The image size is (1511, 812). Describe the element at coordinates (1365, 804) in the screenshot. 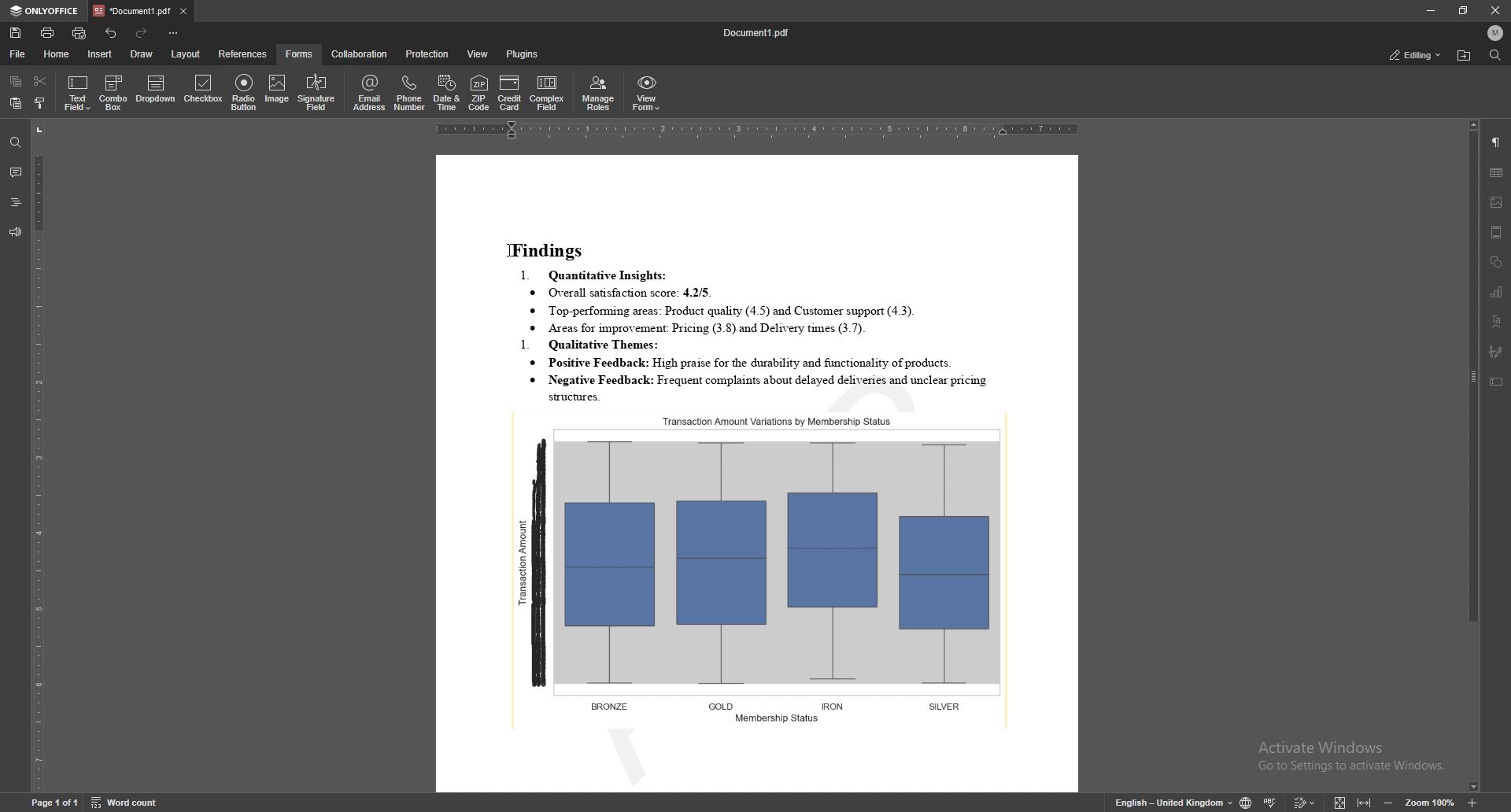

I see `fit to width` at that location.